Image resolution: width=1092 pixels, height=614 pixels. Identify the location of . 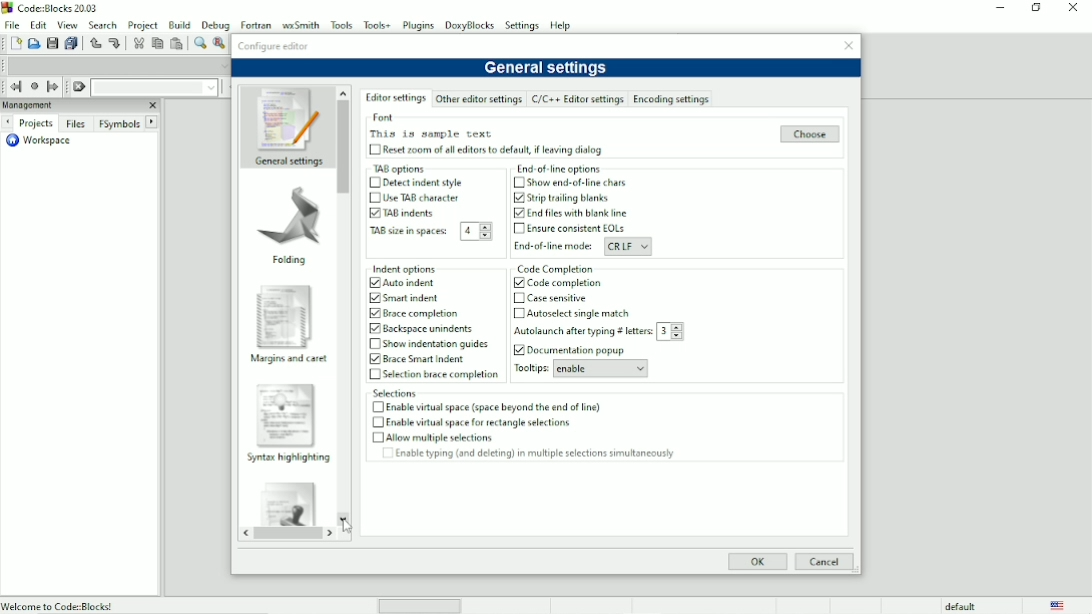
(385, 453).